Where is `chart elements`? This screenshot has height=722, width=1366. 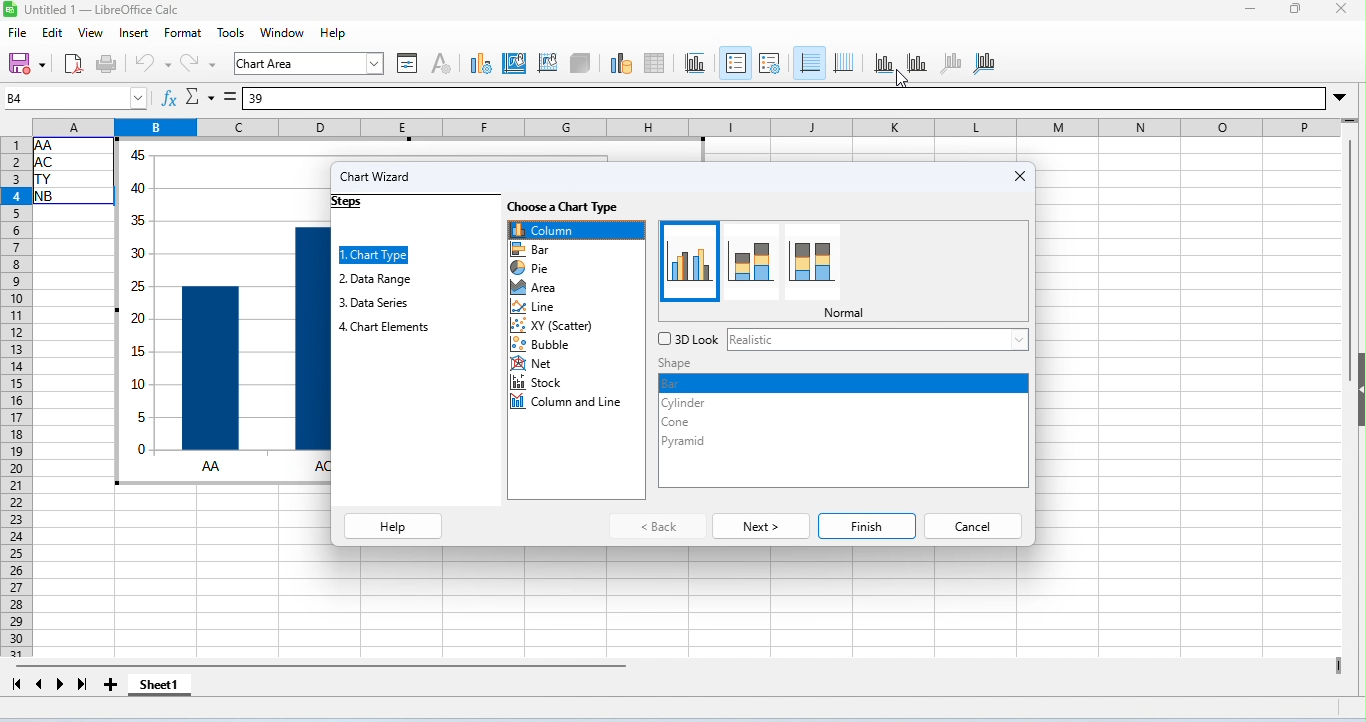 chart elements is located at coordinates (382, 327).